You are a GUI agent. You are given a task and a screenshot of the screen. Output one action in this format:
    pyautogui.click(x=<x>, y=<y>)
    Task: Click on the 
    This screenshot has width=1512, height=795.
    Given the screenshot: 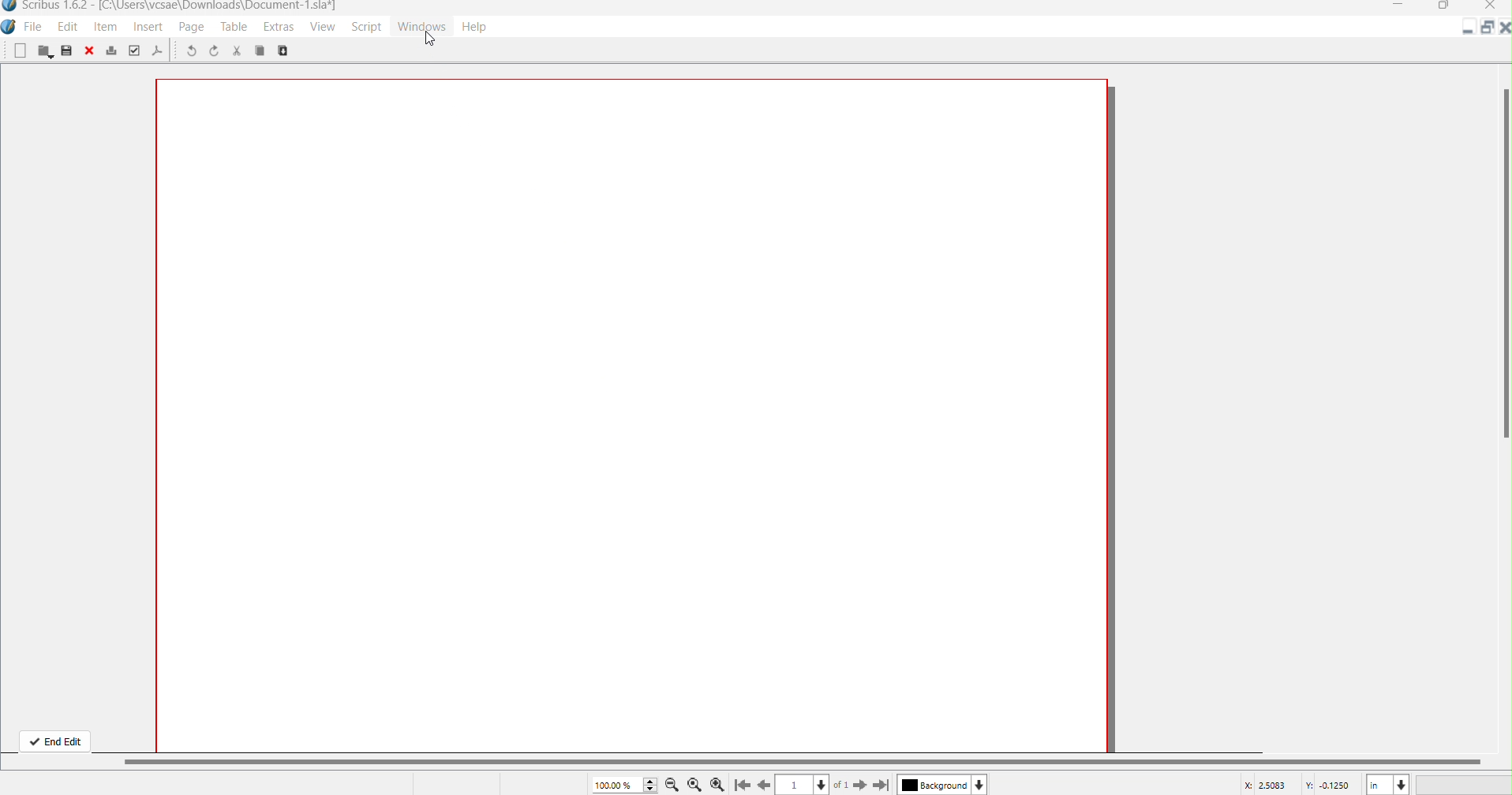 What is the action you would take?
    pyautogui.click(x=262, y=51)
    